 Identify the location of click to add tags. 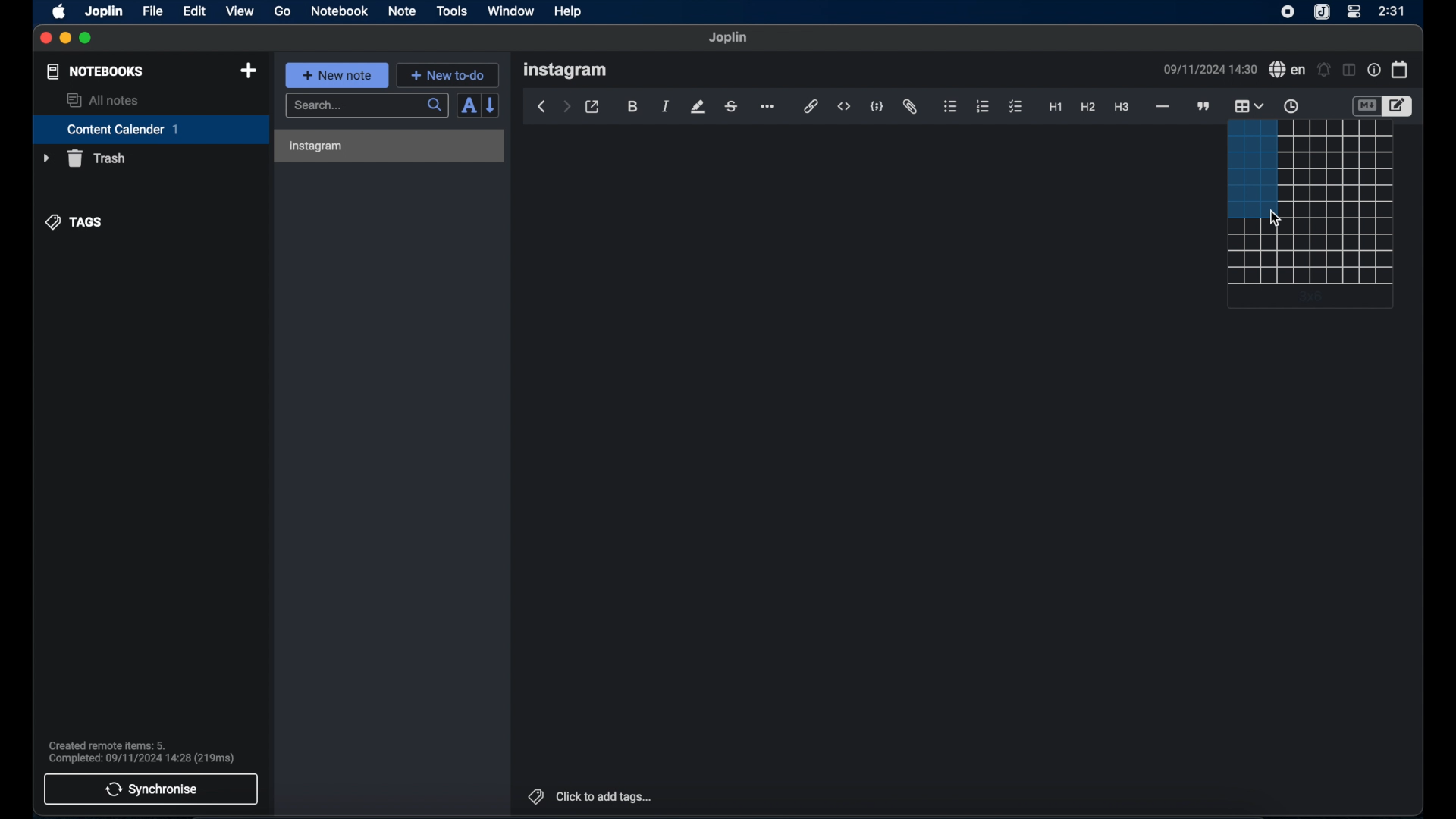
(591, 796).